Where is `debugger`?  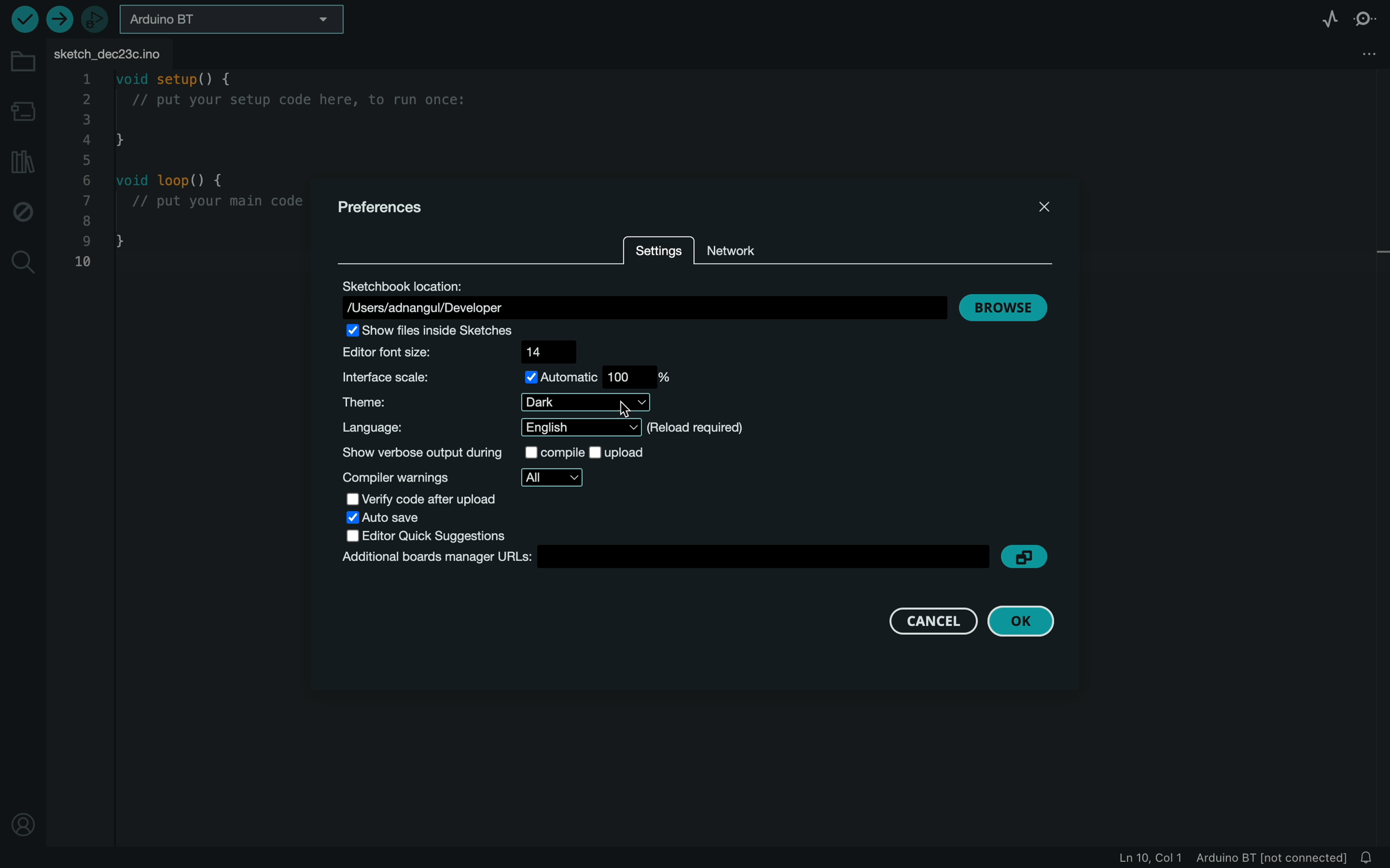 debugger is located at coordinates (96, 18).